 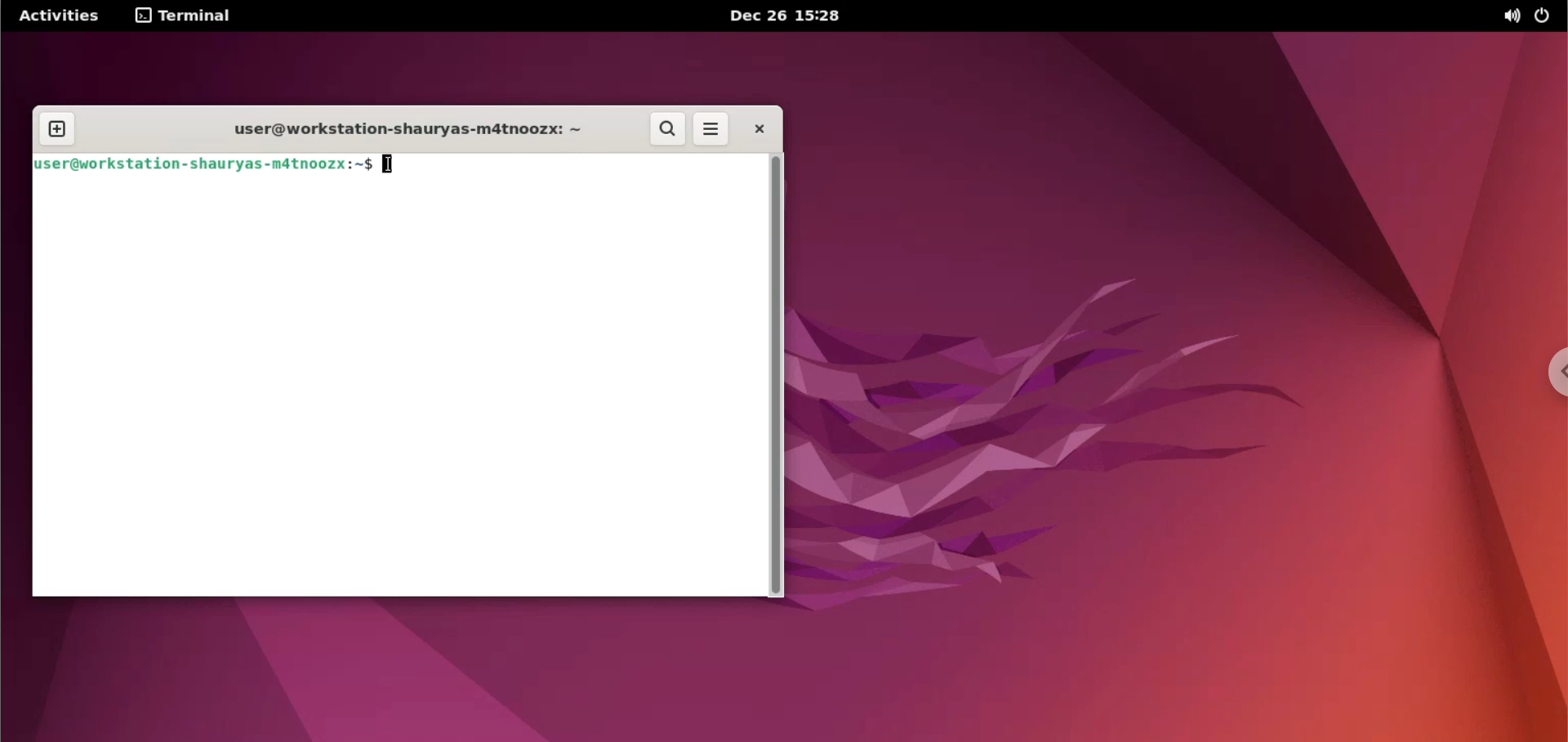 I want to click on new tab, so click(x=60, y=128).